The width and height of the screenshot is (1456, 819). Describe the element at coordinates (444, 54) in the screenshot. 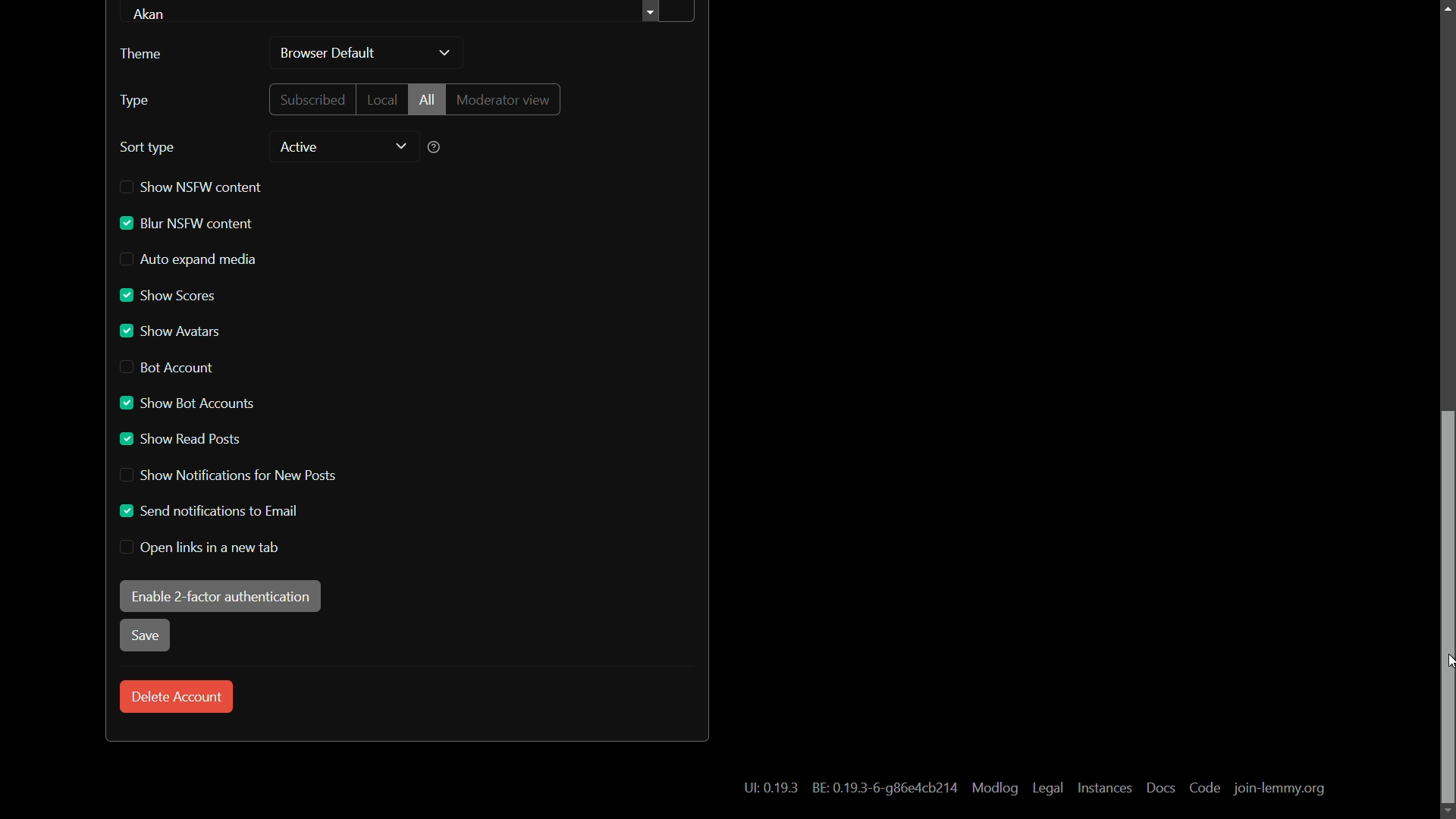

I see `dropdown` at that location.